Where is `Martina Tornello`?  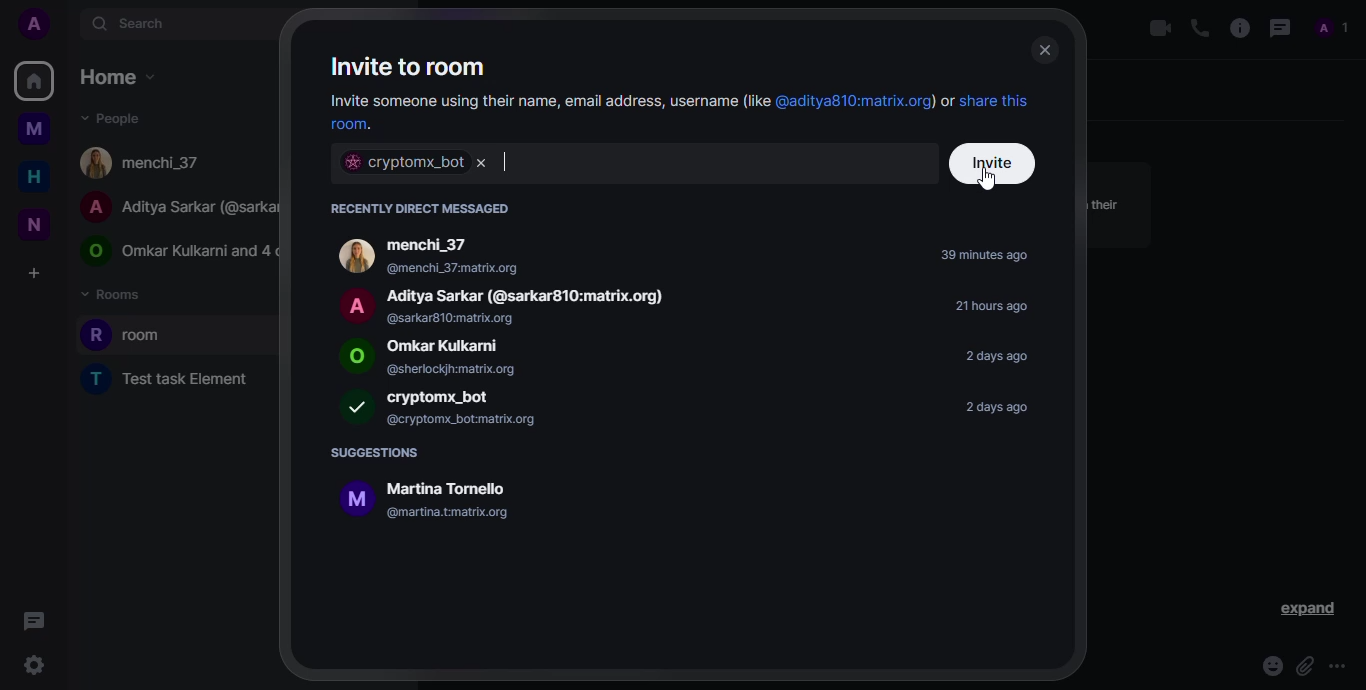 Martina Tornello is located at coordinates (465, 484).